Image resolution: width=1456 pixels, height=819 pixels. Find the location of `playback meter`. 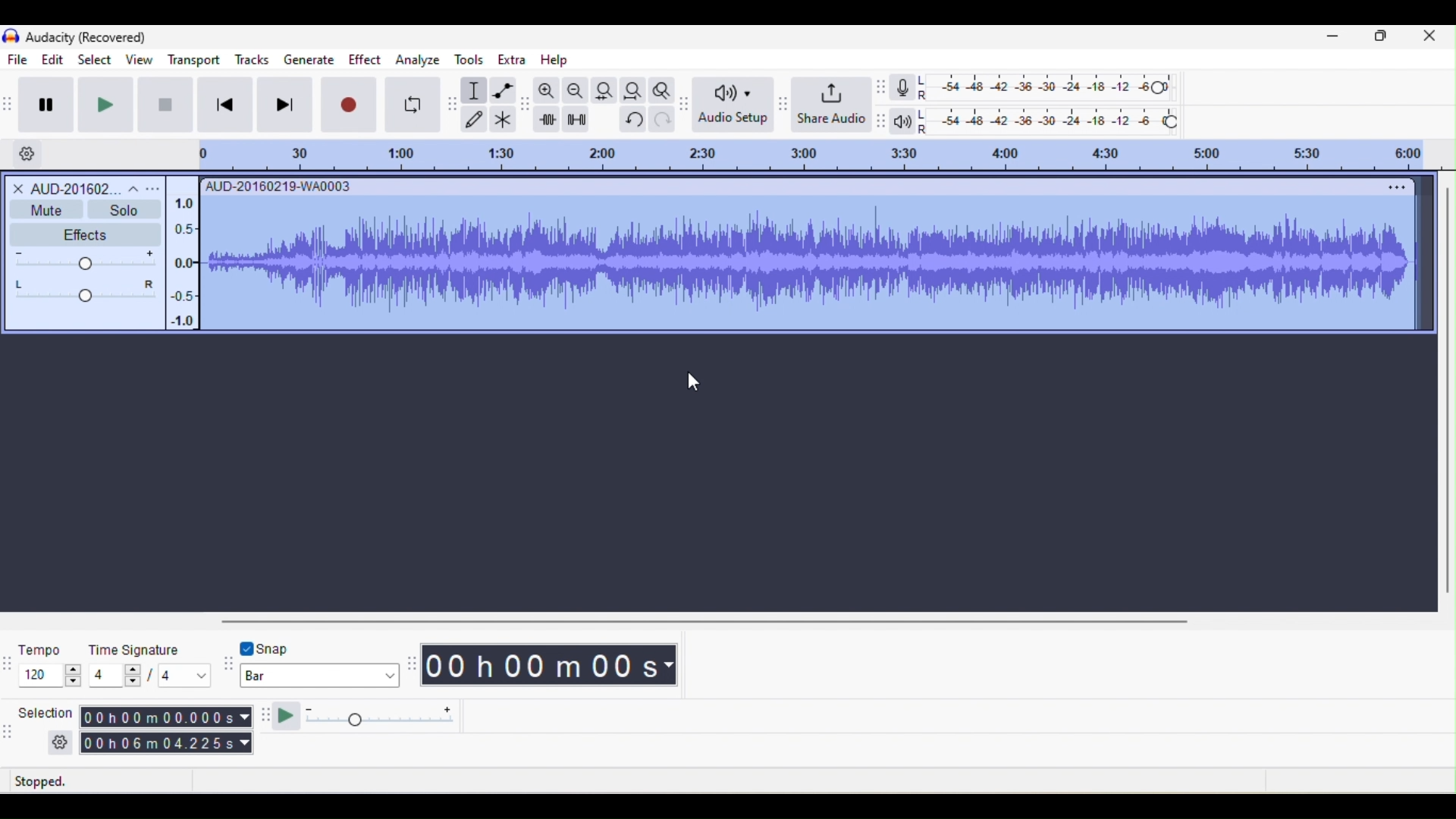

playback meter is located at coordinates (903, 124).